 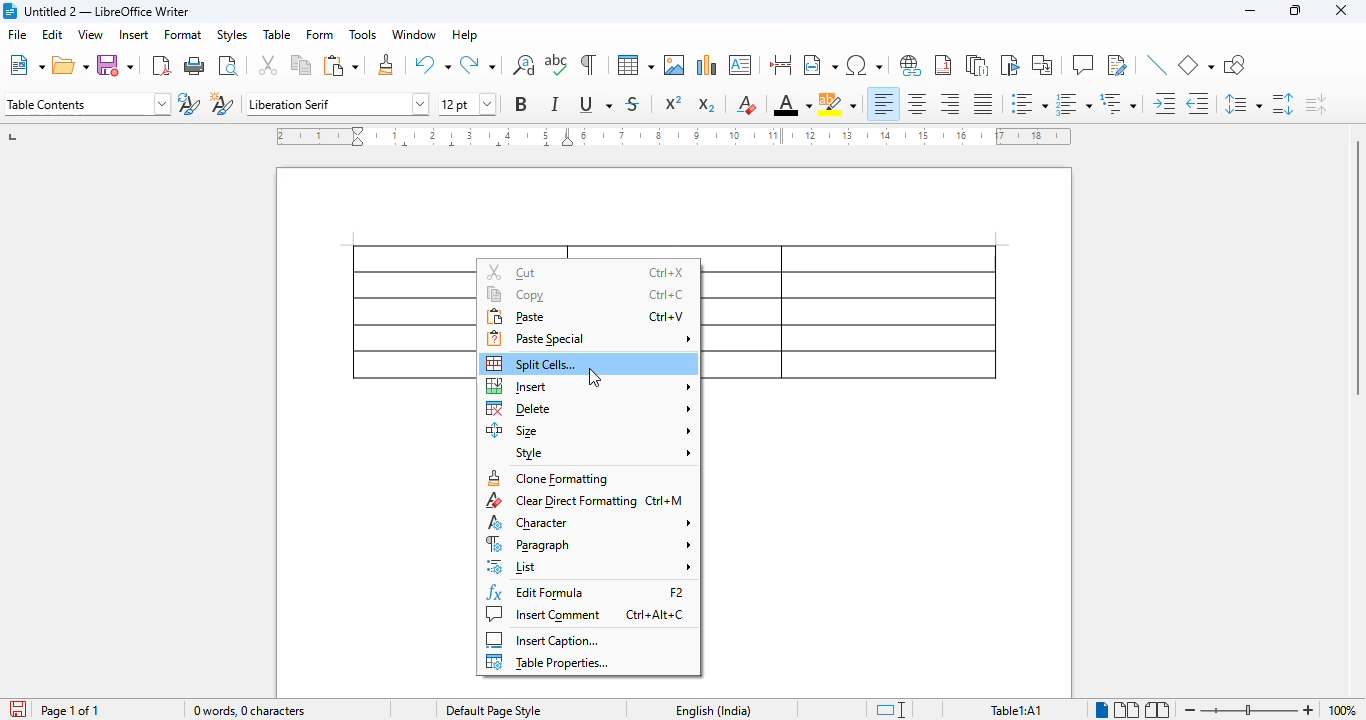 What do you see at coordinates (588, 522) in the screenshot?
I see `character` at bounding box center [588, 522].